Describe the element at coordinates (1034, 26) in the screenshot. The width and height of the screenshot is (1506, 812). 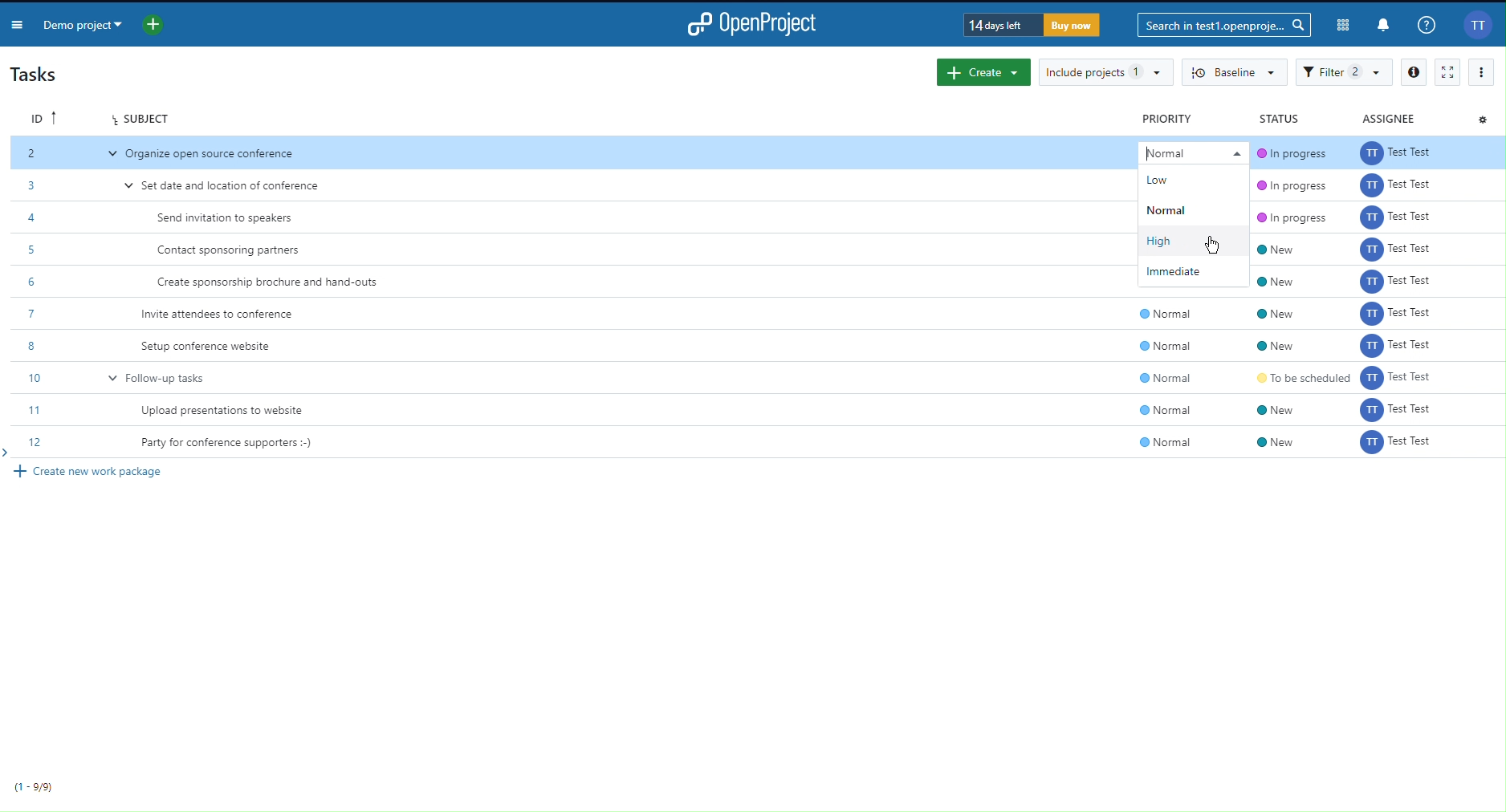
I see `Trial Timer` at that location.